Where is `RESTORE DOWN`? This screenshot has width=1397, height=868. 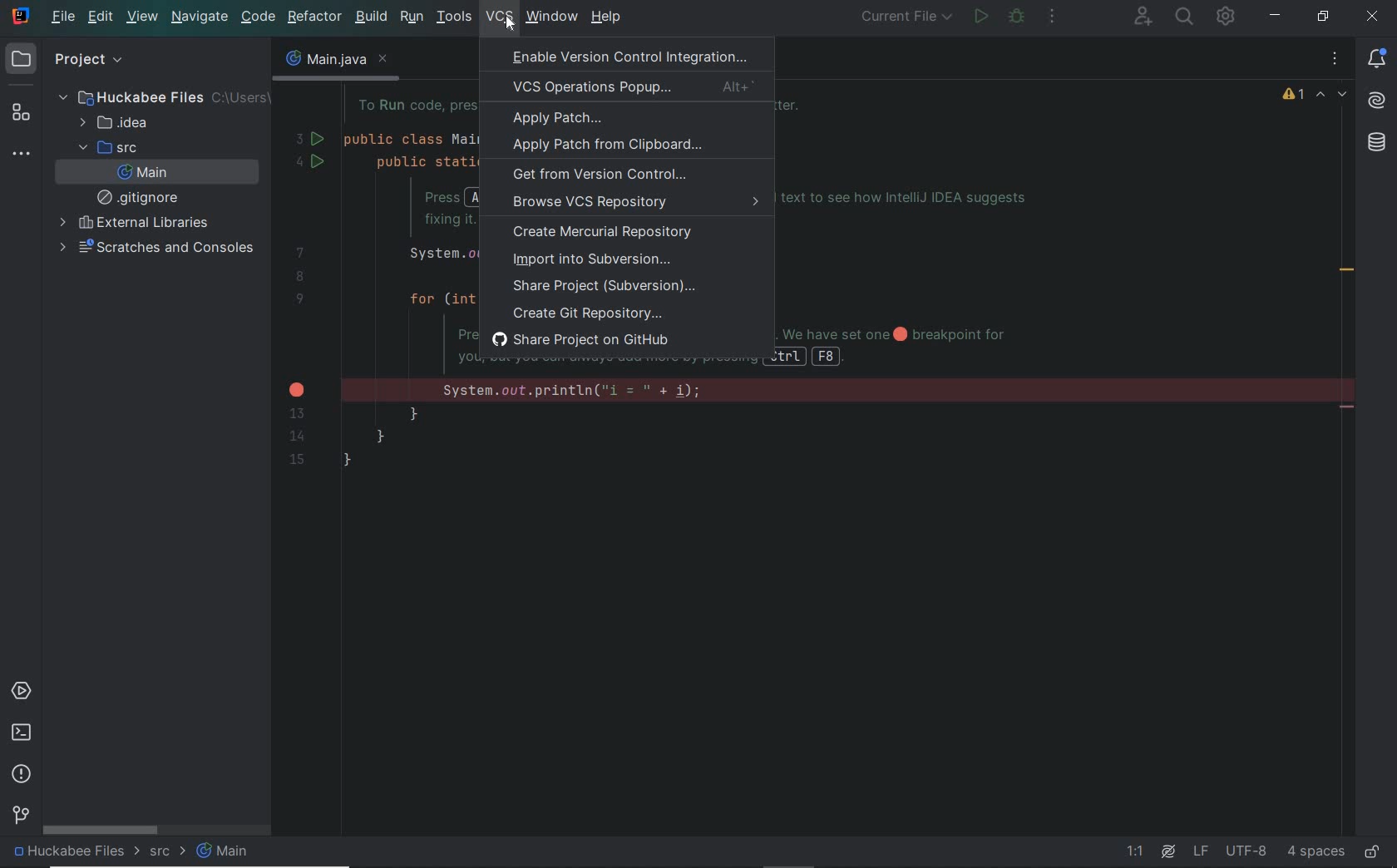
RESTORE DOWN is located at coordinates (1319, 16).